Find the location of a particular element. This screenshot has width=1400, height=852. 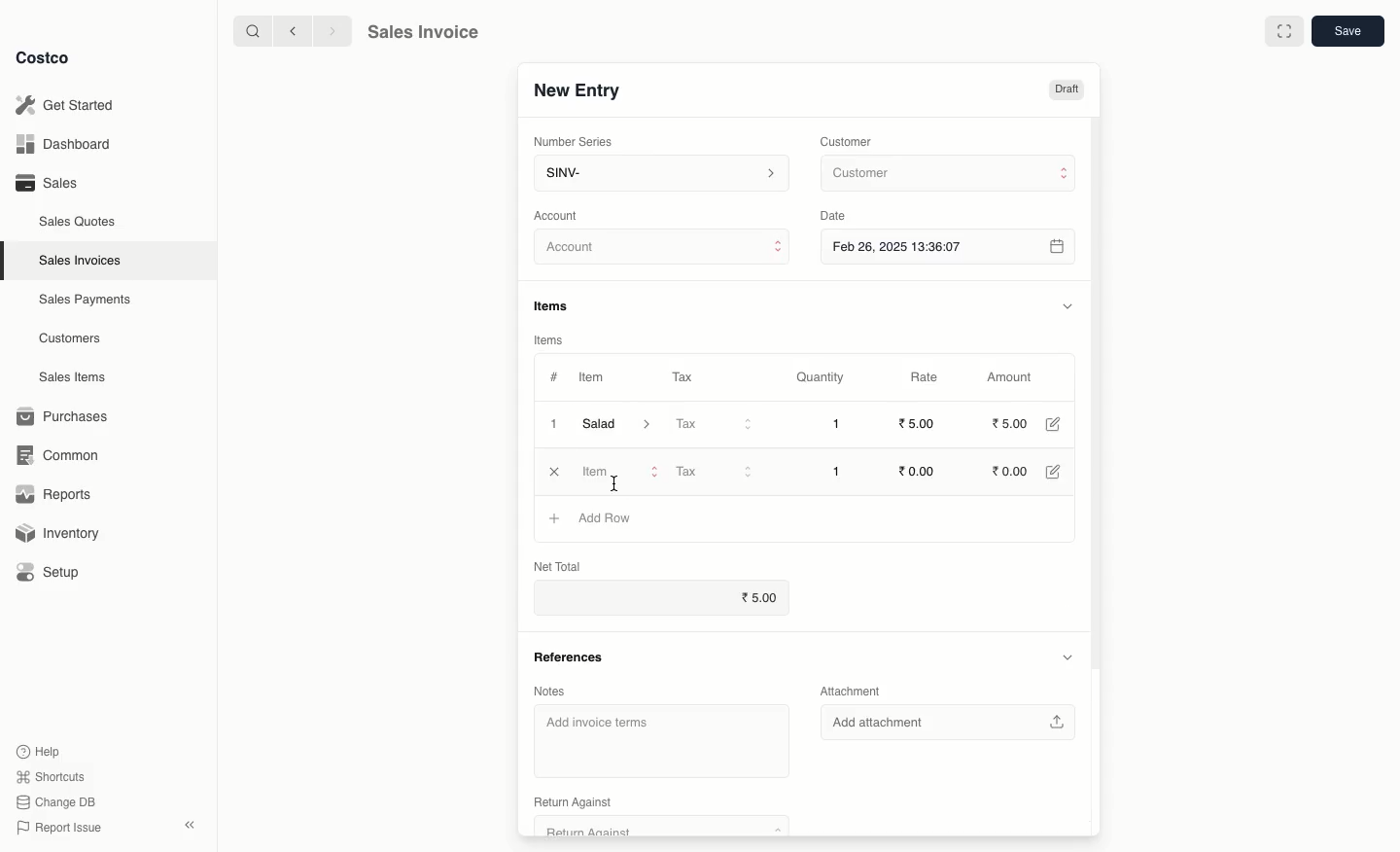

5.00 is located at coordinates (1010, 423).